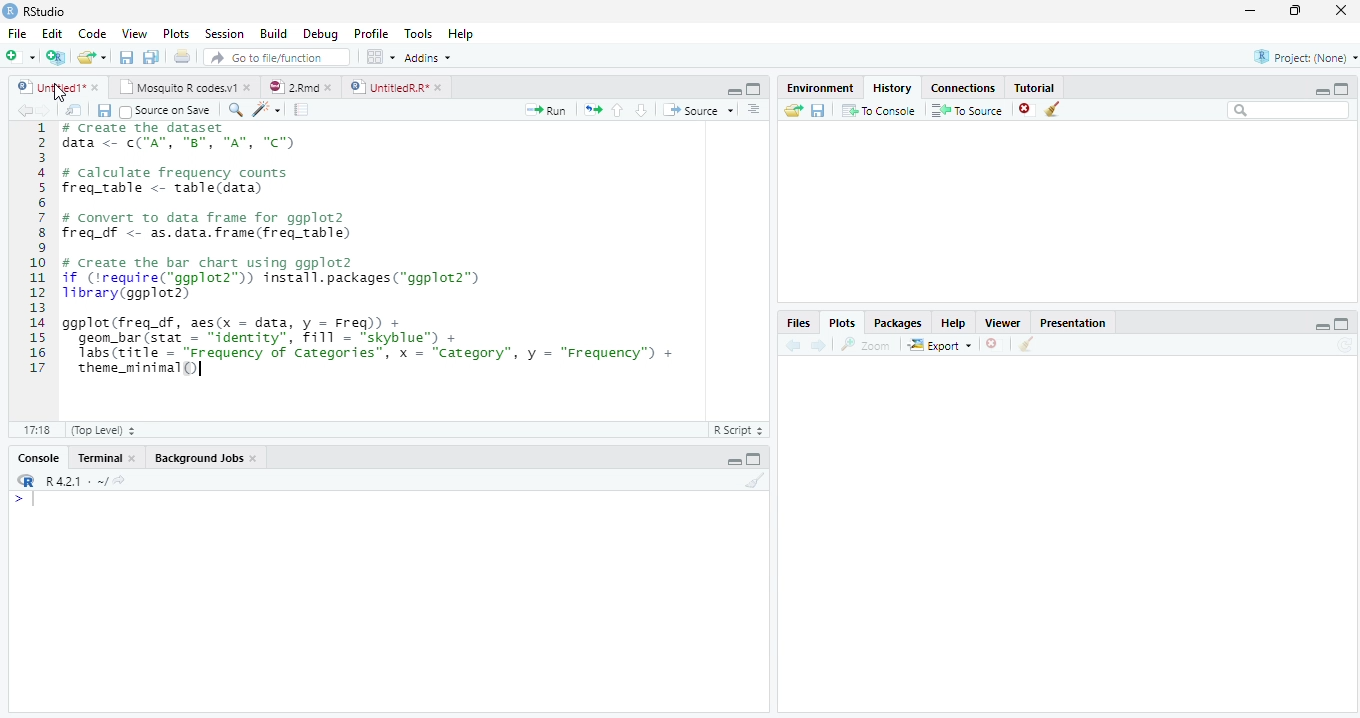 Image resolution: width=1360 pixels, height=718 pixels. I want to click on Tools, so click(421, 34).